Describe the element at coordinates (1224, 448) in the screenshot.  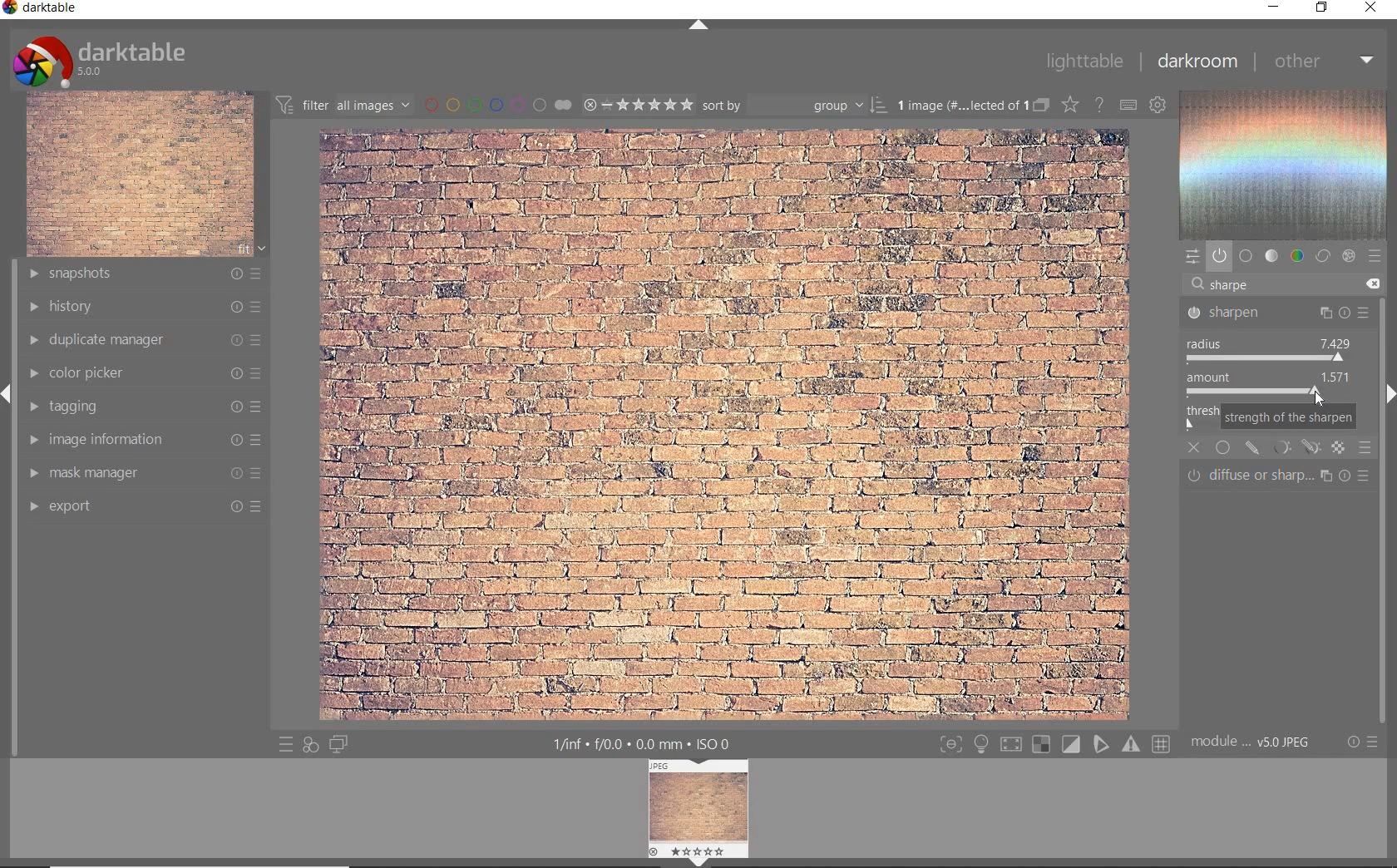
I see `UNIFORMLY` at that location.